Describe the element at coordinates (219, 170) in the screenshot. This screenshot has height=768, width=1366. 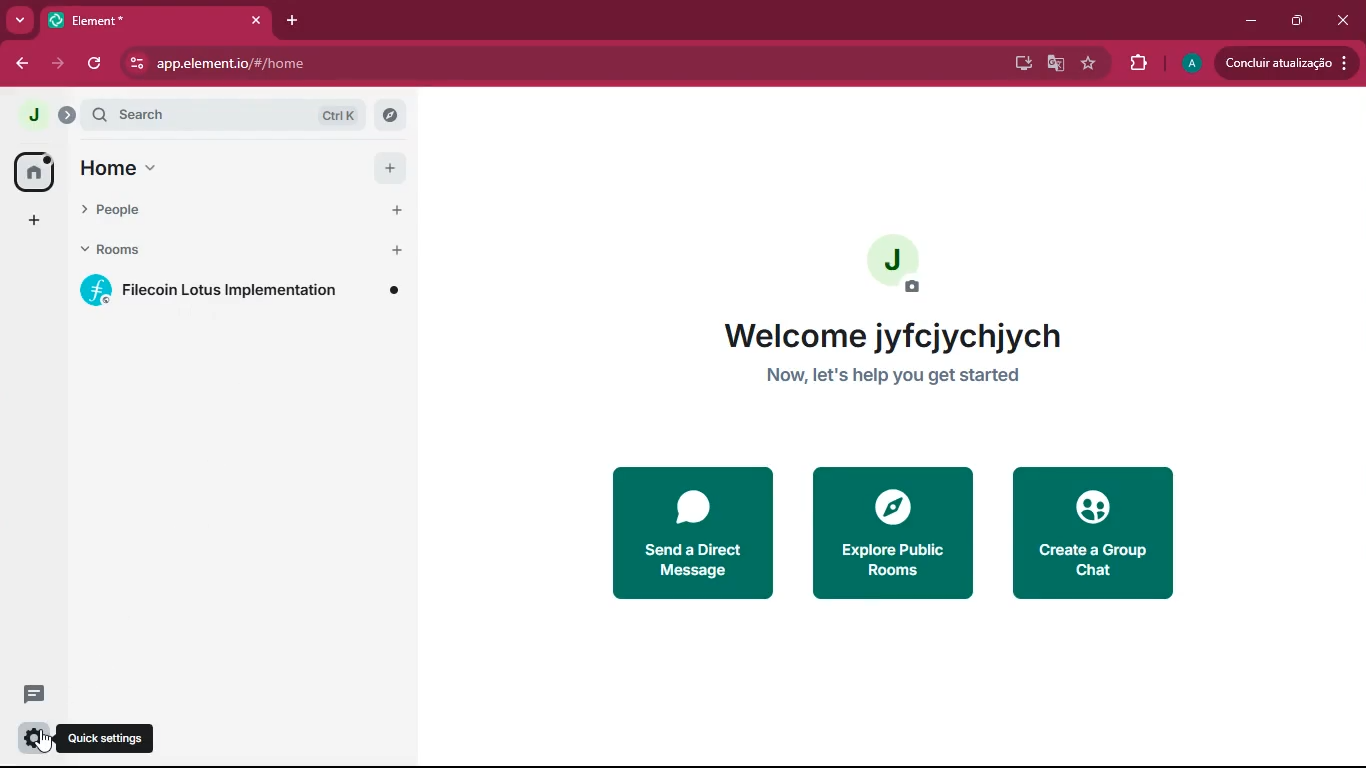
I see `home` at that location.